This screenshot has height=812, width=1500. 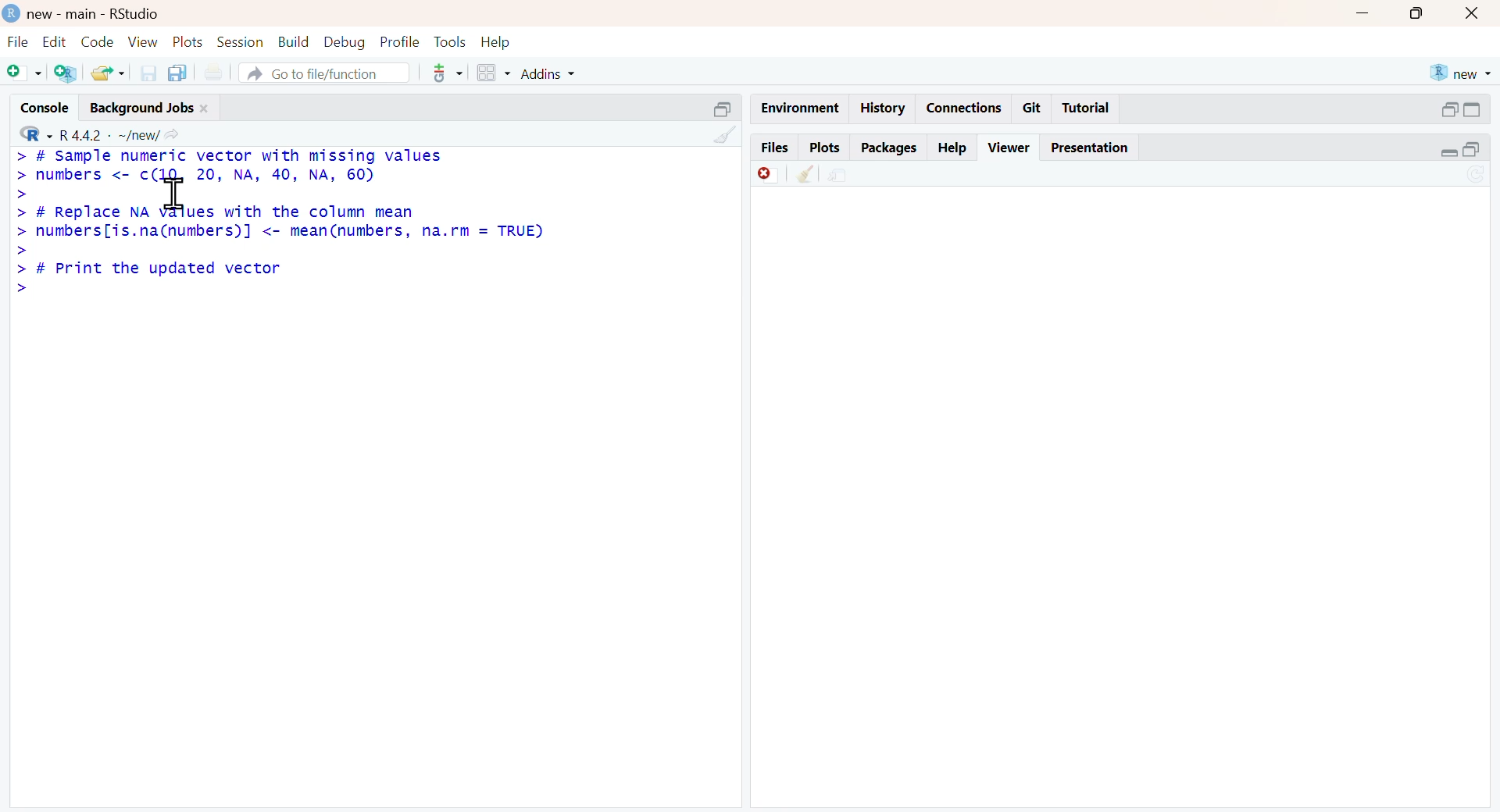 I want to click on session, so click(x=241, y=42).